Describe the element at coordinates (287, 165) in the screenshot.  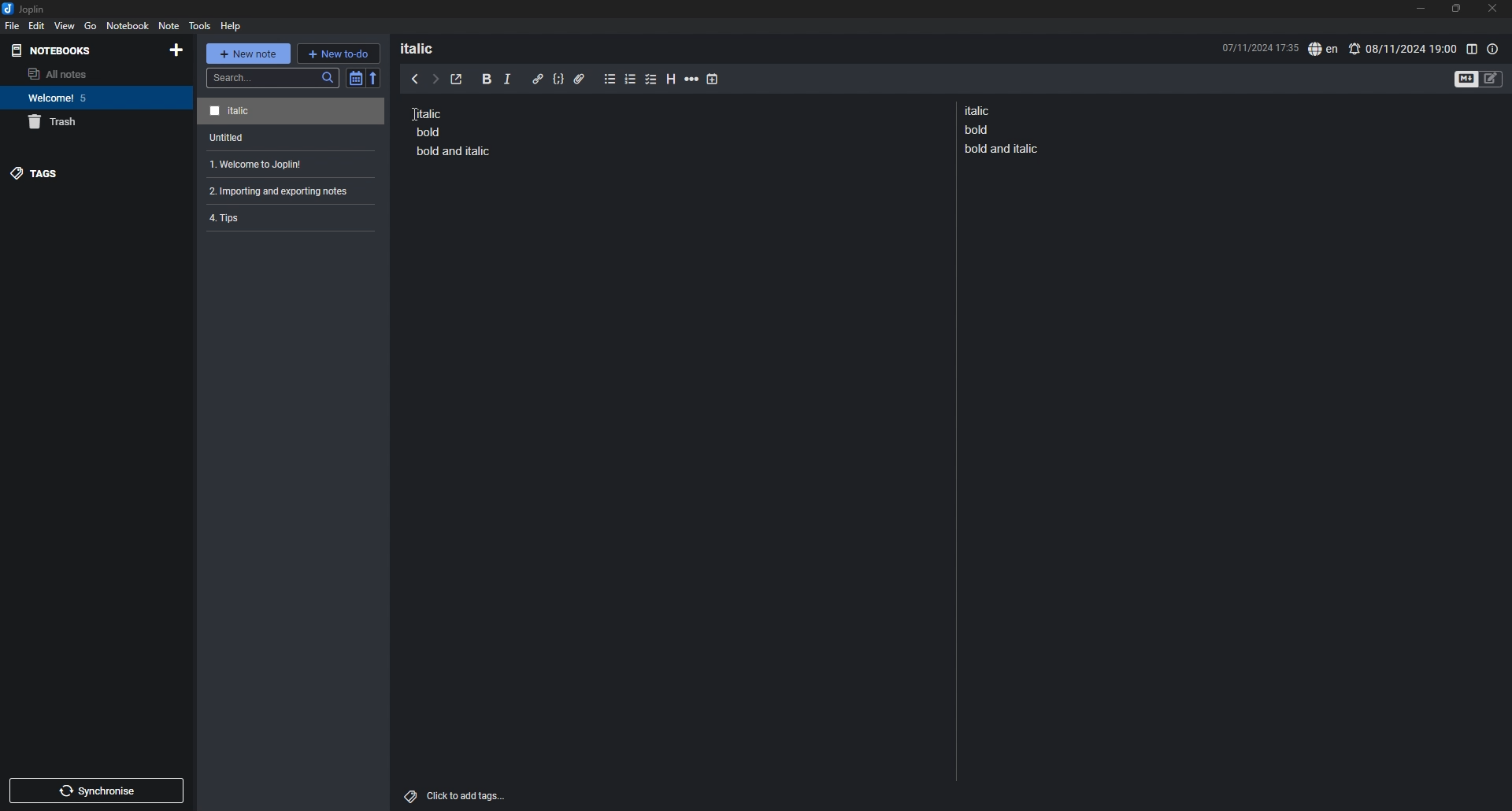
I see `note` at that location.